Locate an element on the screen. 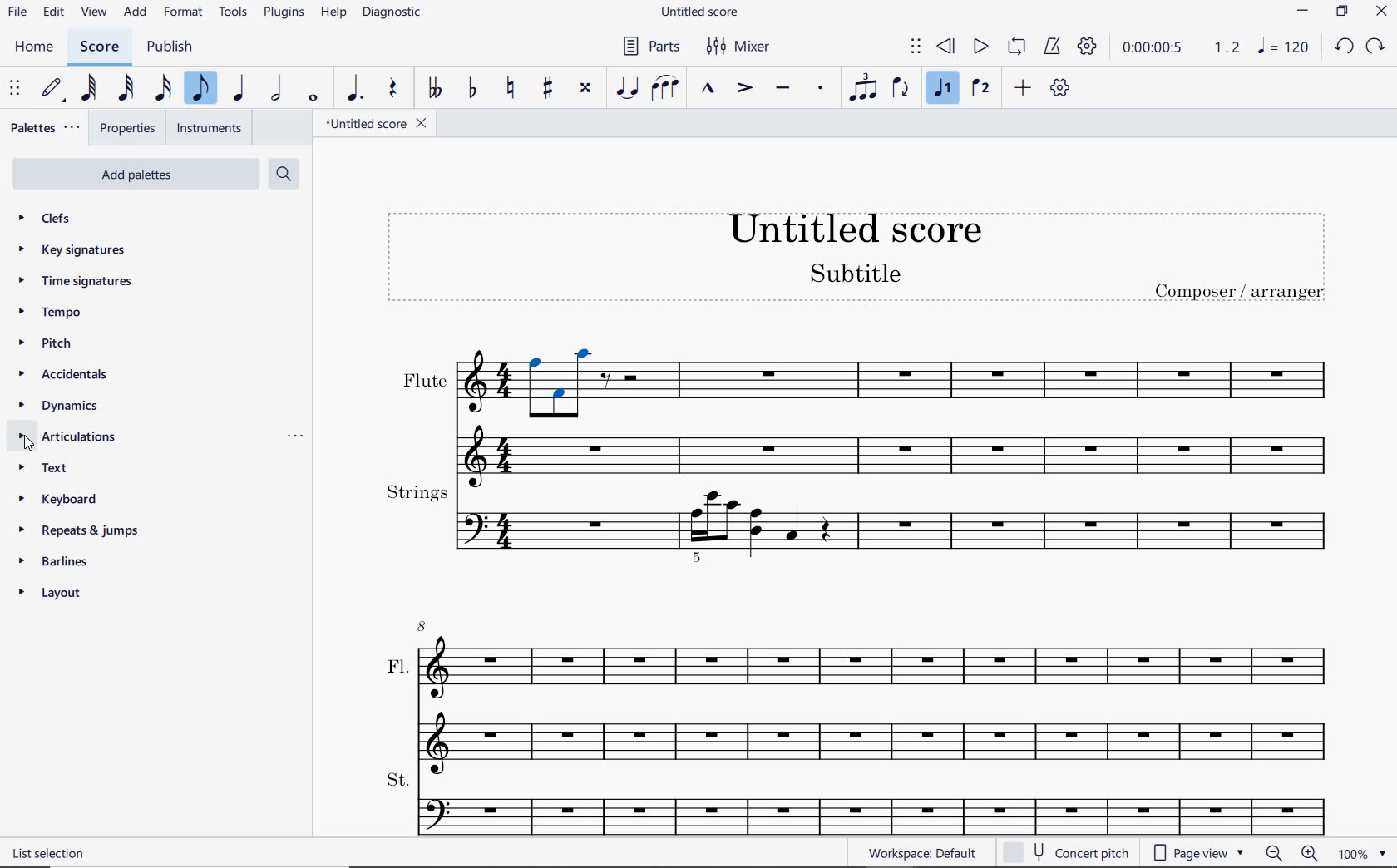  DEFAULT (STEP TIME) is located at coordinates (50, 89).